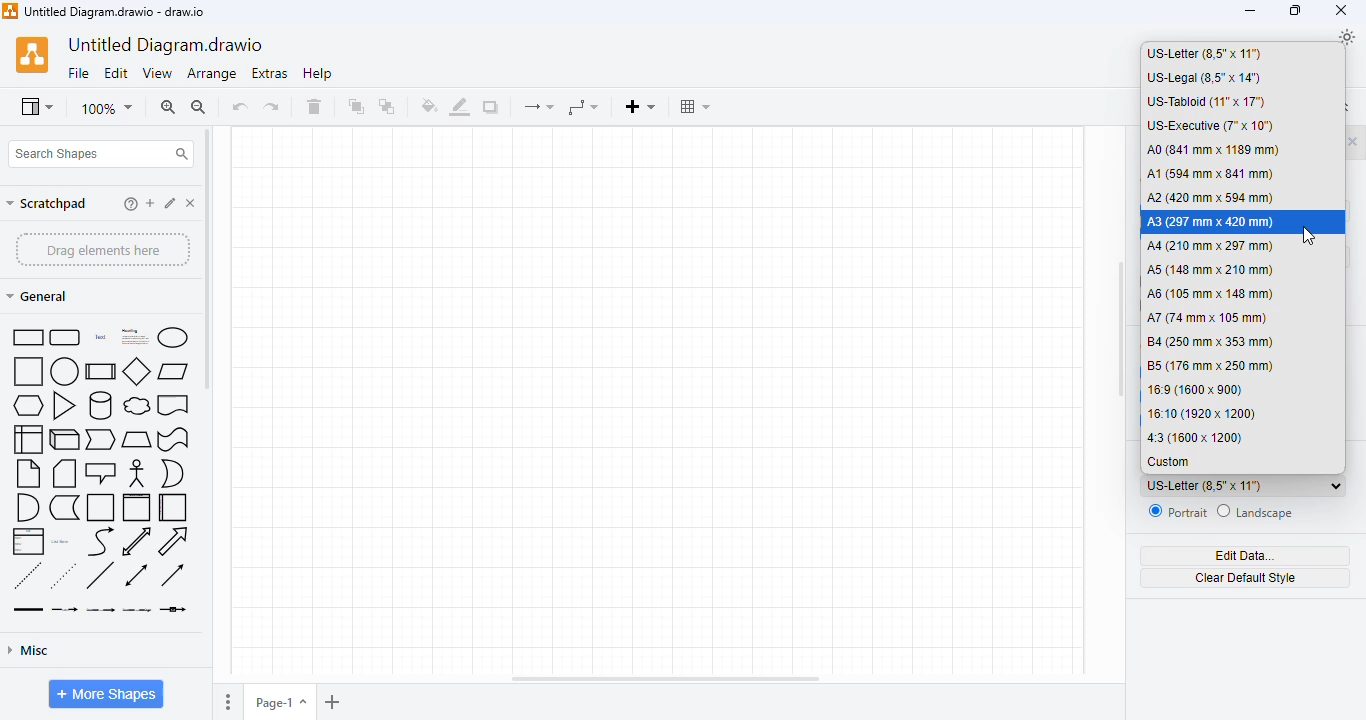 The width and height of the screenshot is (1366, 720). Describe the element at coordinates (9, 11) in the screenshot. I see `logo` at that location.